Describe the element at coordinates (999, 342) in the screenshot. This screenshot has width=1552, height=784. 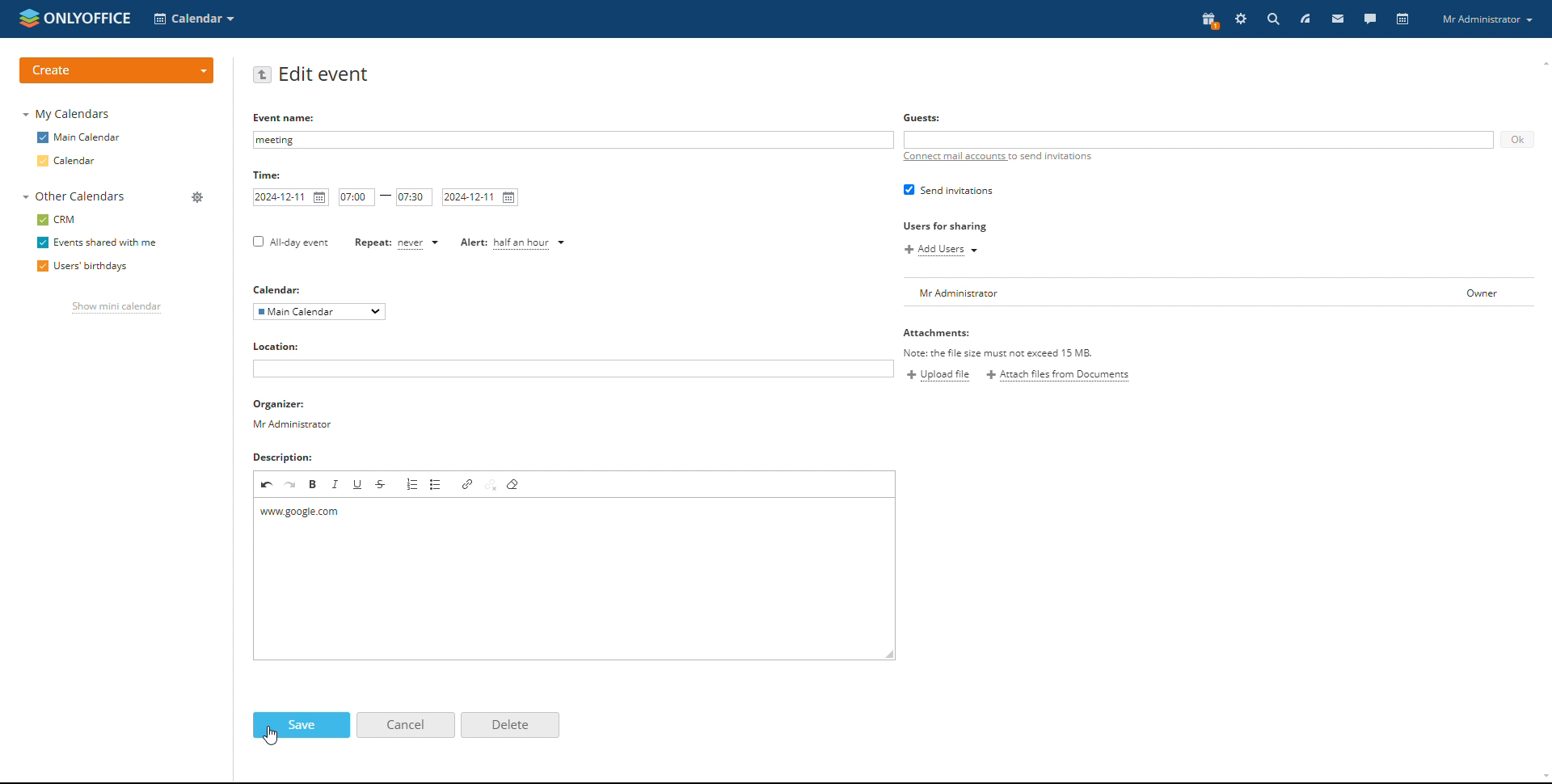
I see `Attachments:` at that location.